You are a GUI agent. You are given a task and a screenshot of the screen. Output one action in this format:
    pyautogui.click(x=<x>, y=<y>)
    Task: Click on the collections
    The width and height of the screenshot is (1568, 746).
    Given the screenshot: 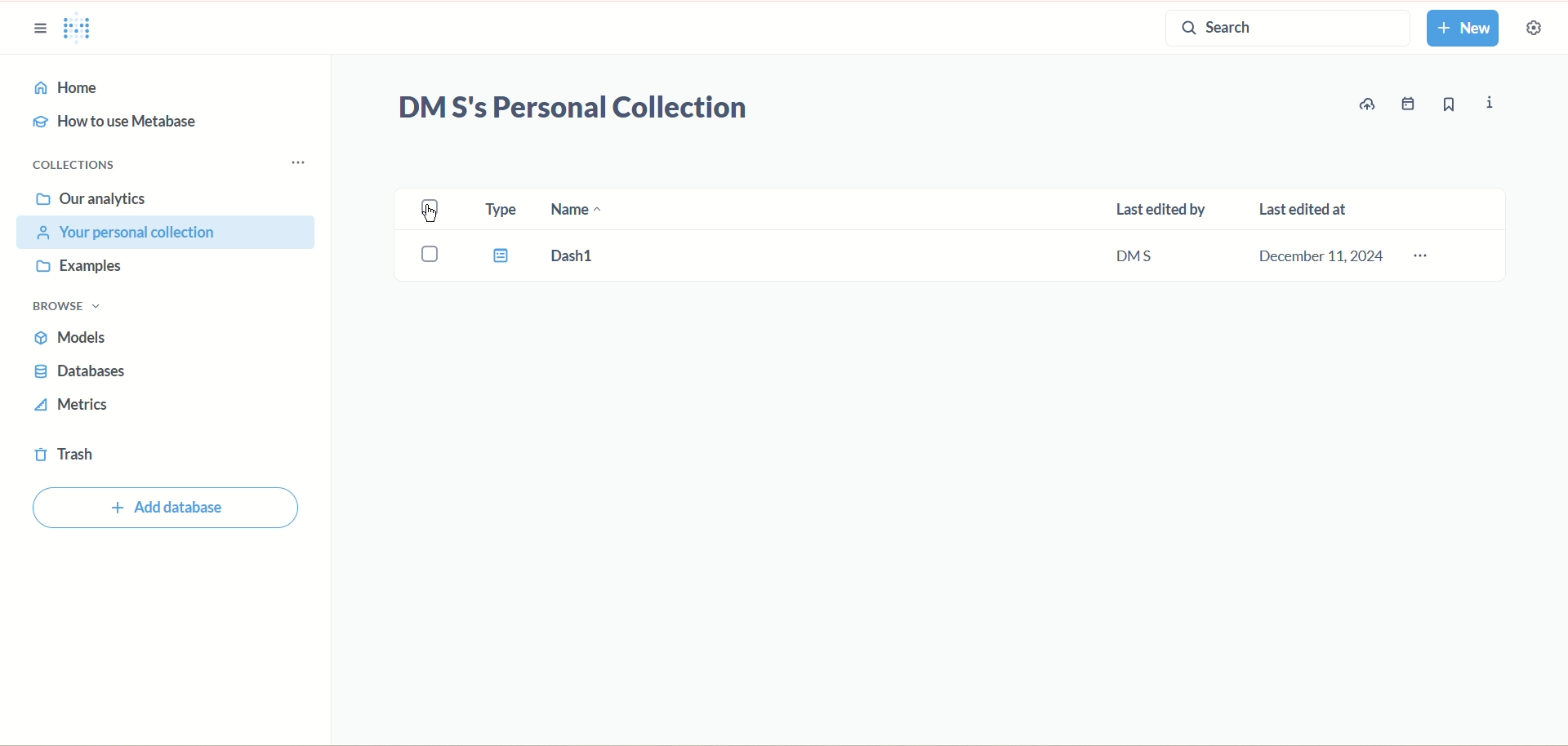 What is the action you would take?
    pyautogui.click(x=75, y=165)
    